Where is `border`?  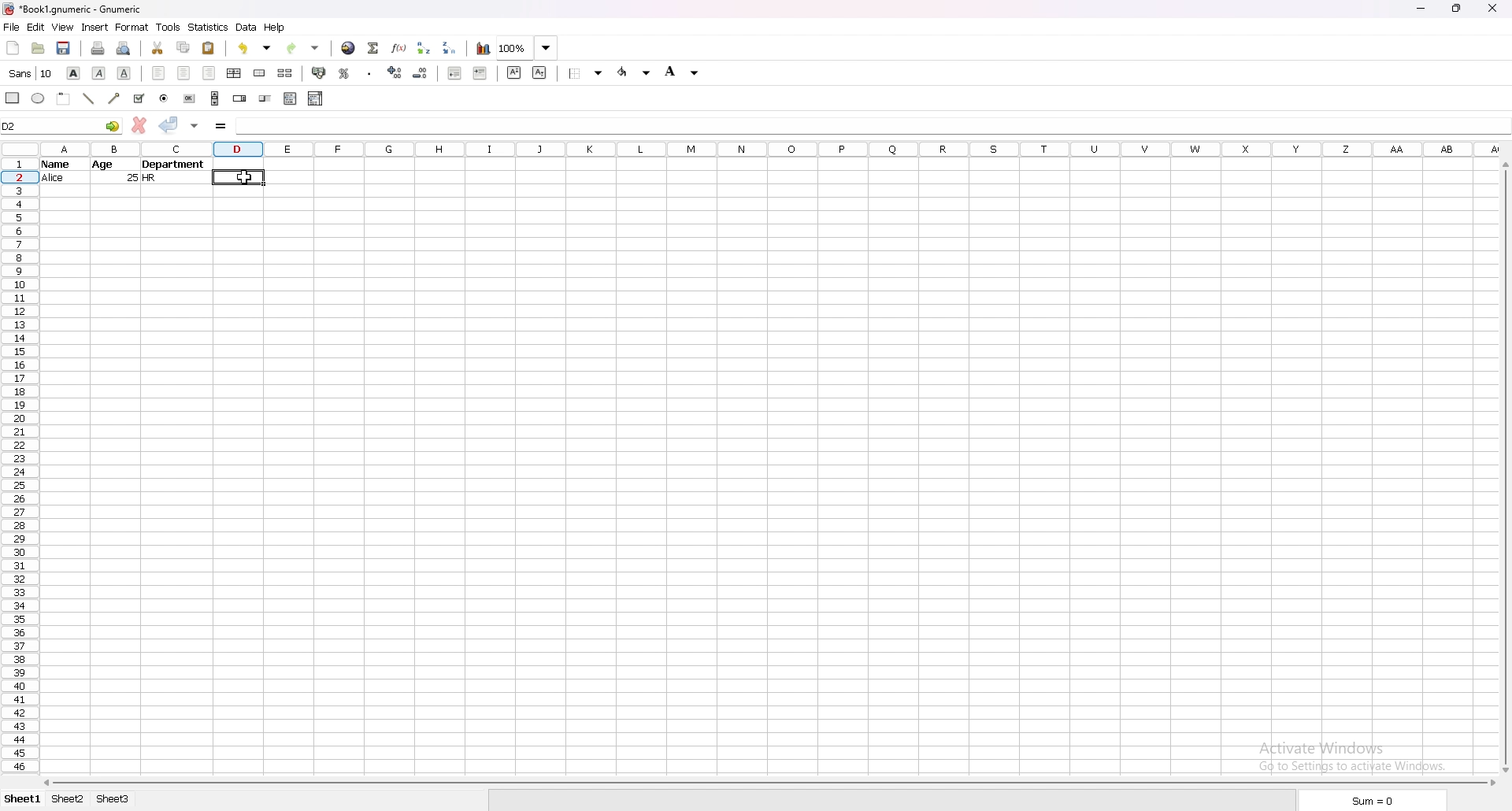 border is located at coordinates (587, 73).